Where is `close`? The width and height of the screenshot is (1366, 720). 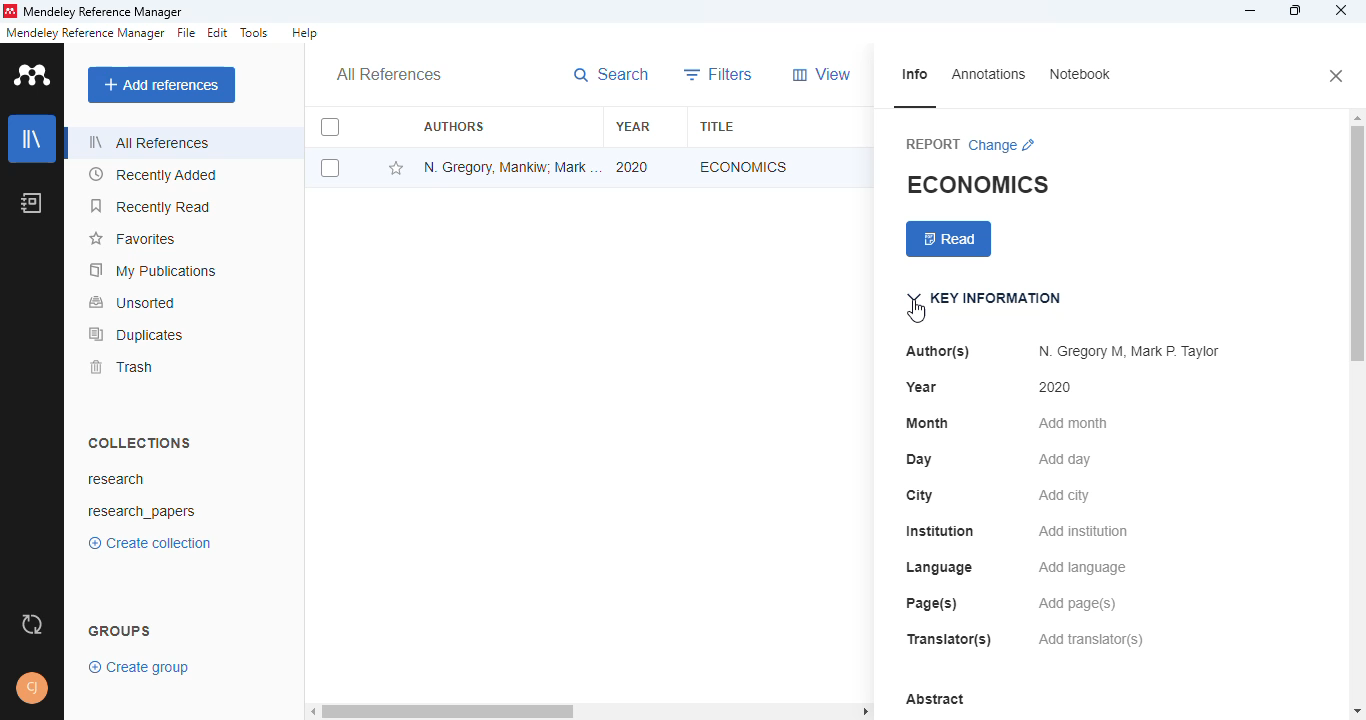
close is located at coordinates (1341, 10).